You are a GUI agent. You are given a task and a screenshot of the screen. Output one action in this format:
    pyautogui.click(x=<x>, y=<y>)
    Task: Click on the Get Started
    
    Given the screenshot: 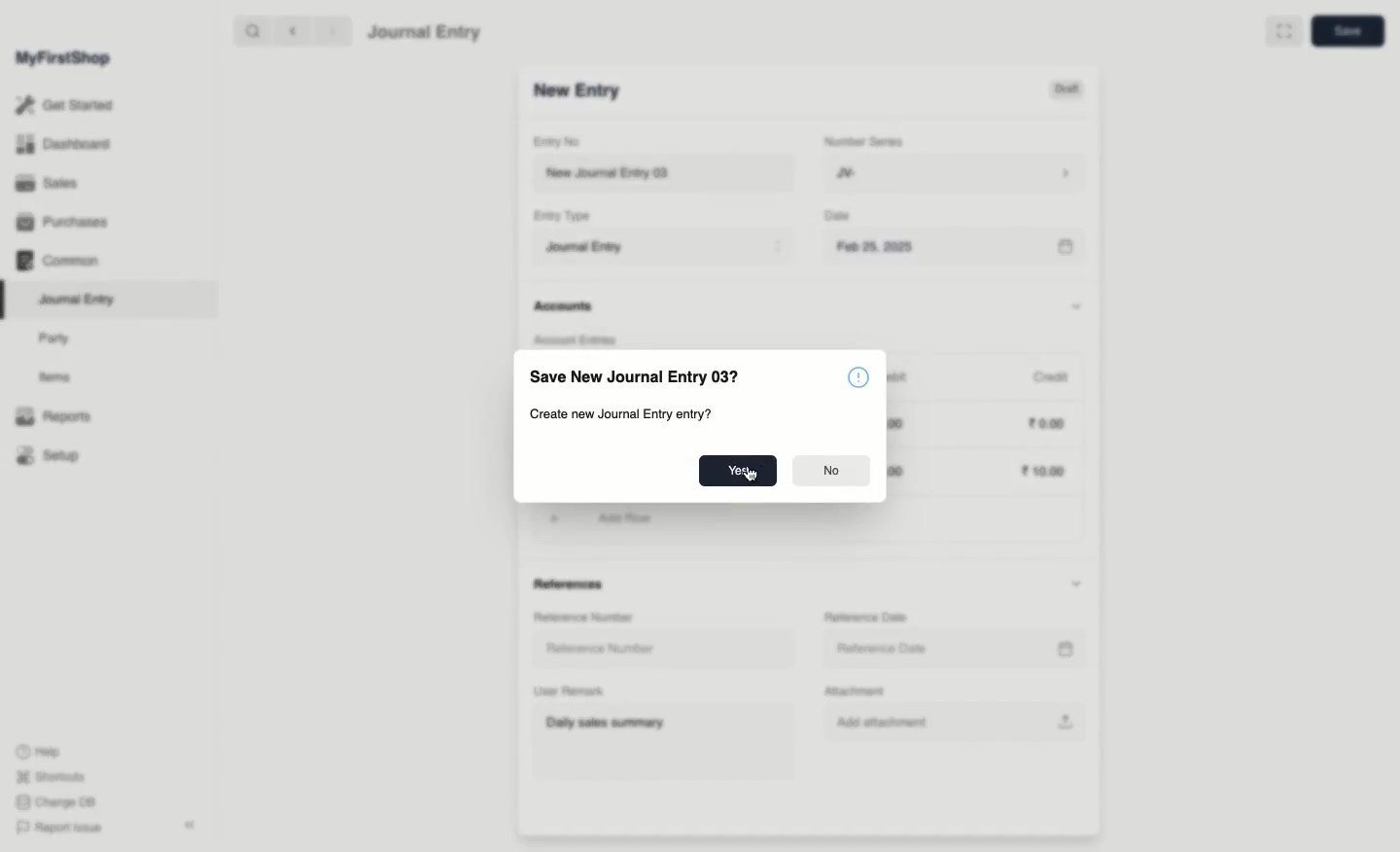 What is the action you would take?
    pyautogui.click(x=66, y=106)
    